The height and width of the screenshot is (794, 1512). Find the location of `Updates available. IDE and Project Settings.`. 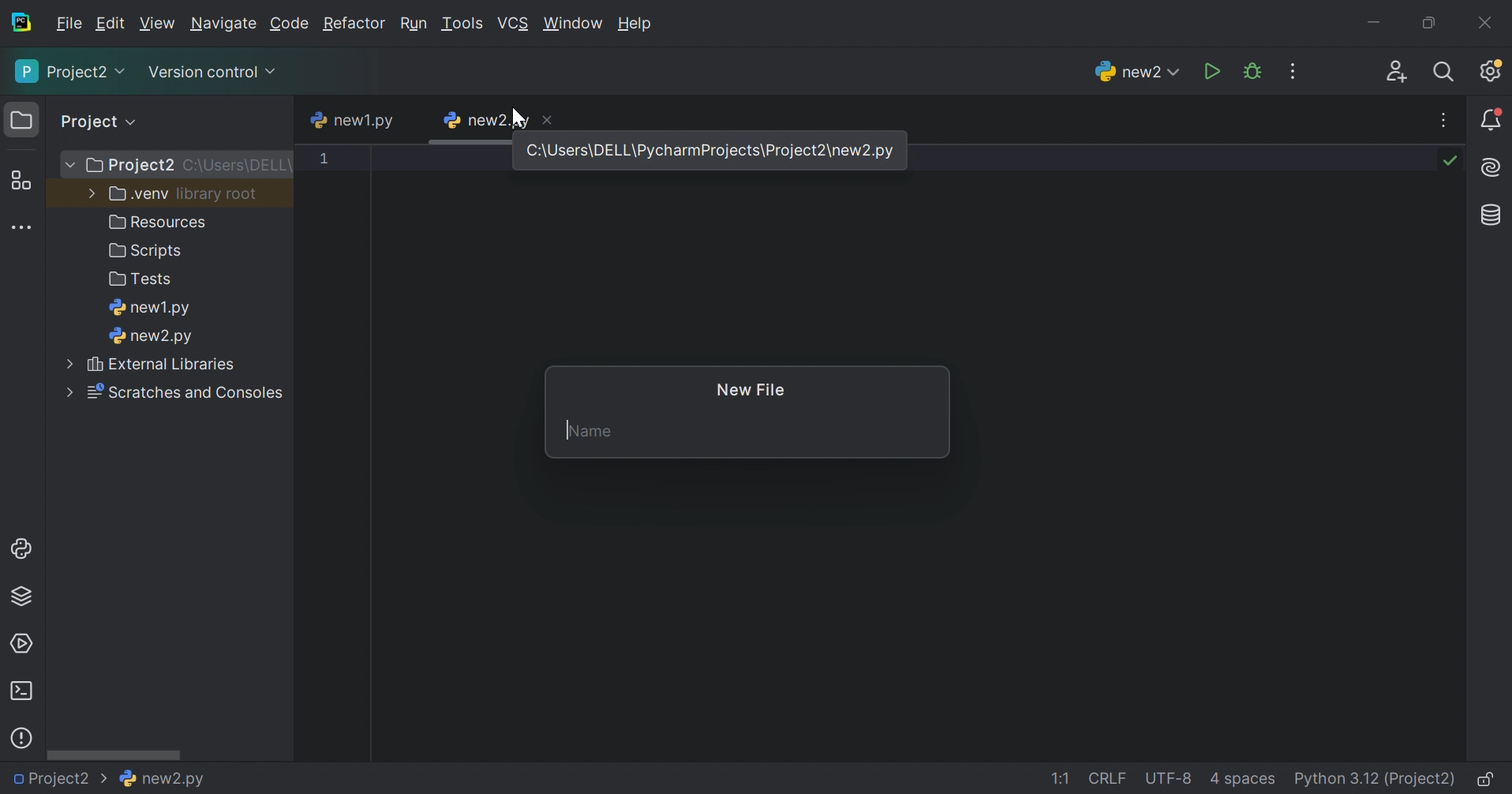

Updates available. IDE and Project Settings. is located at coordinates (1493, 73).